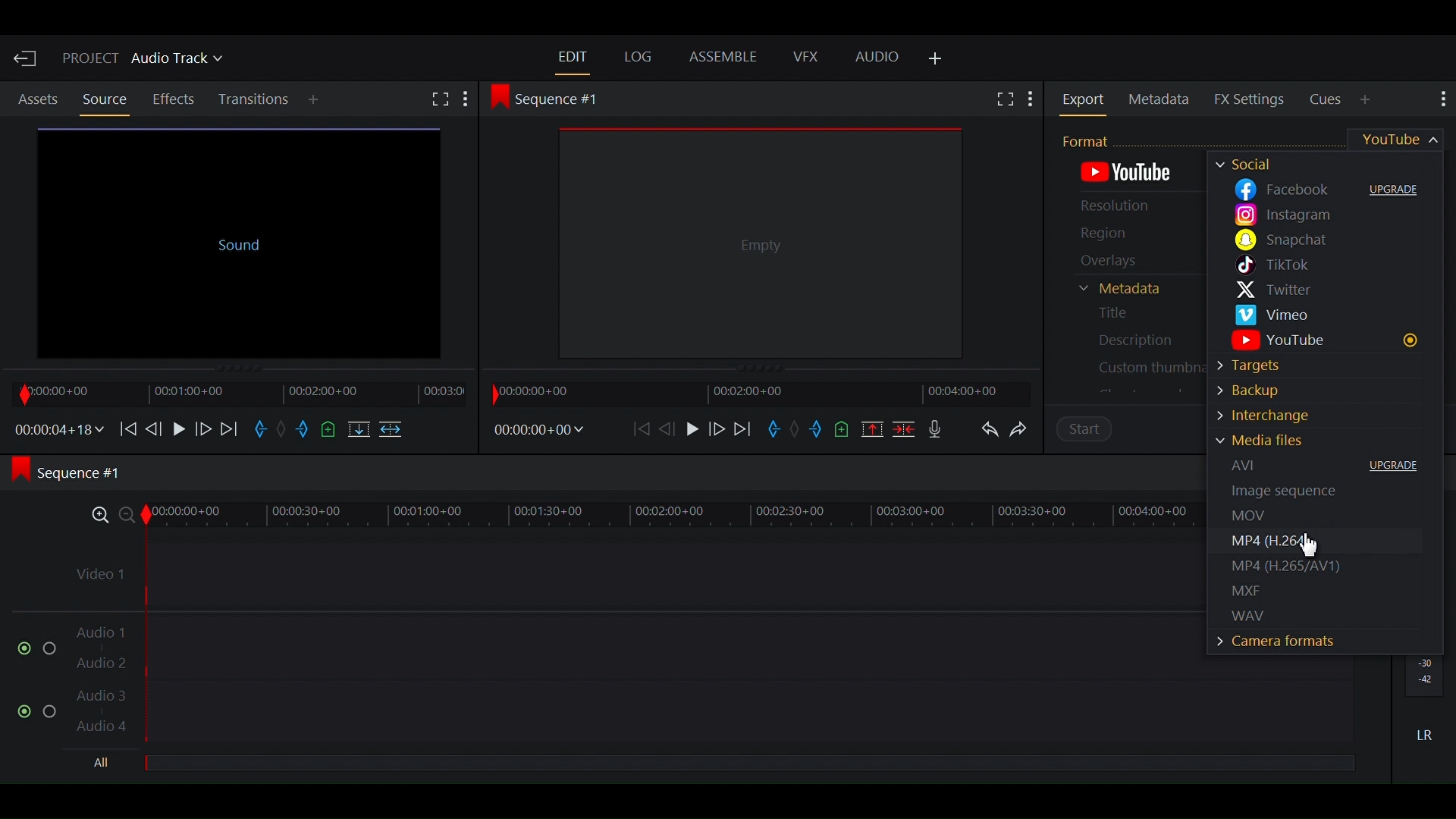 The height and width of the screenshot is (819, 1456). What do you see at coordinates (1086, 99) in the screenshot?
I see `Export` at bounding box center [1086, 99].